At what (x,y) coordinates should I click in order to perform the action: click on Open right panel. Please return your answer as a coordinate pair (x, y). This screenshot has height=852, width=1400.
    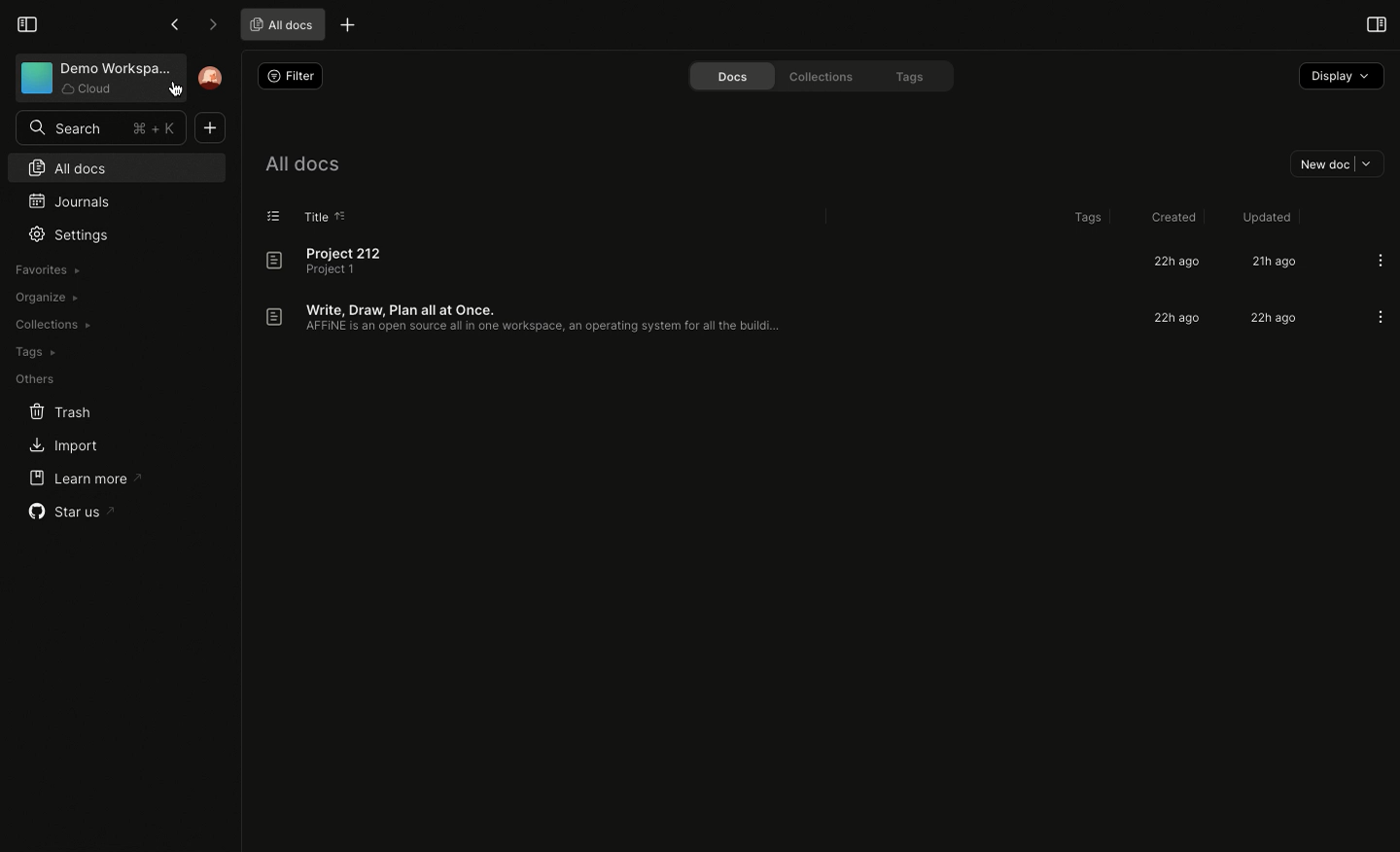
    Looking at the image, I should click on (1374, 23).